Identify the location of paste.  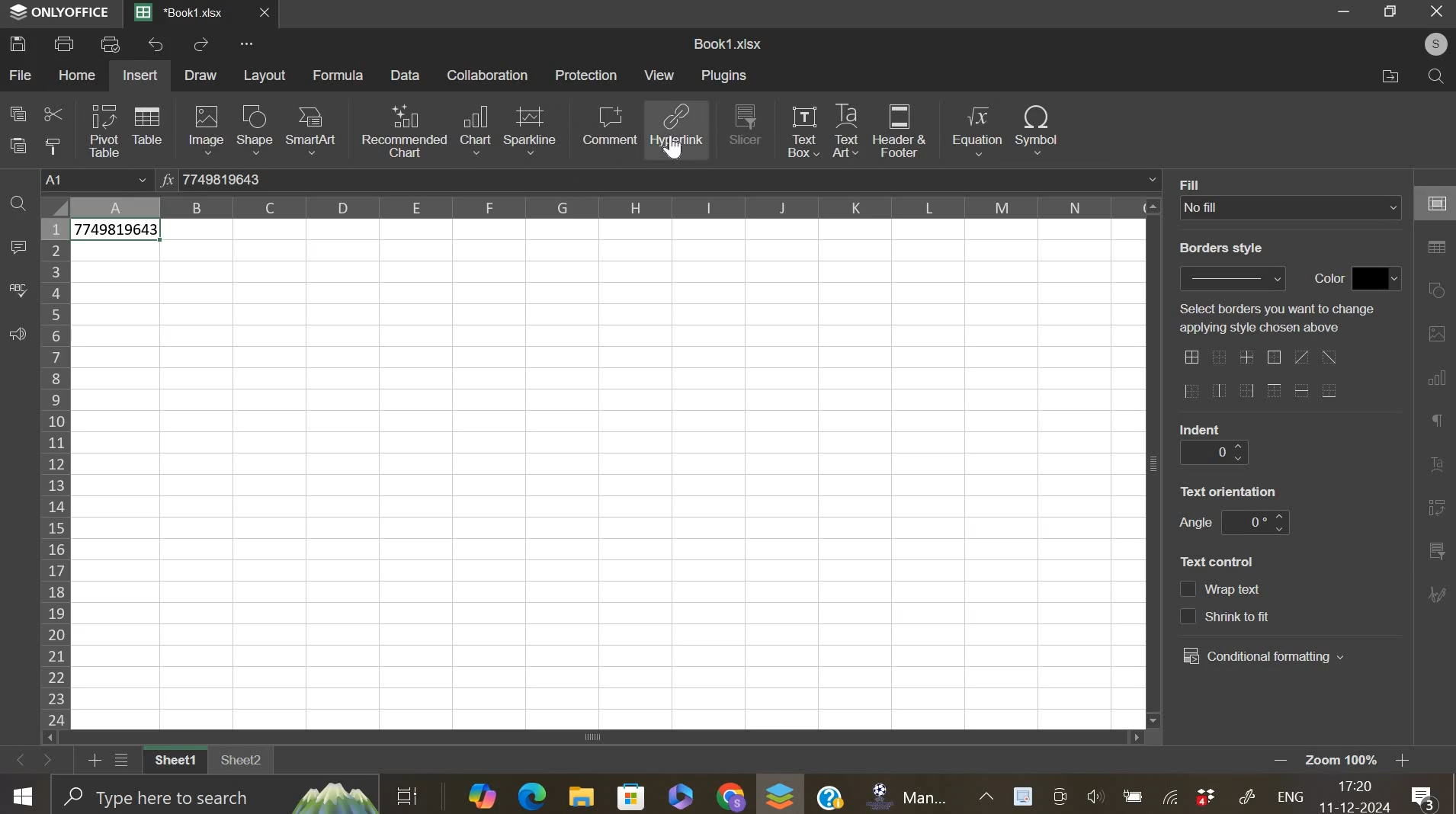
(20, 146).